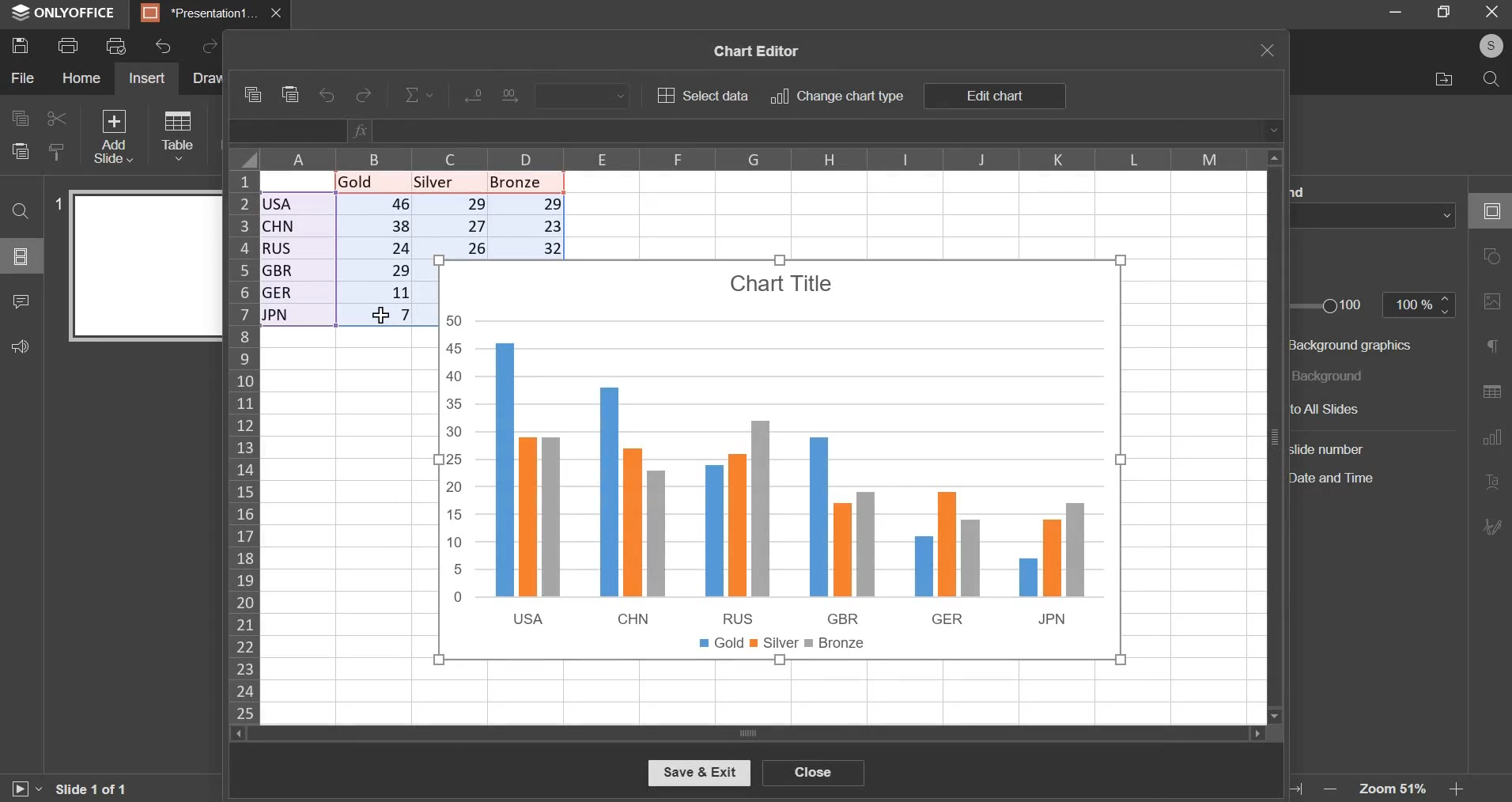 The image size is (1512, 802). What do you see at coordinates (289, 132) in the screenshot?
I see `cell name` at bounding box center [289, 132].